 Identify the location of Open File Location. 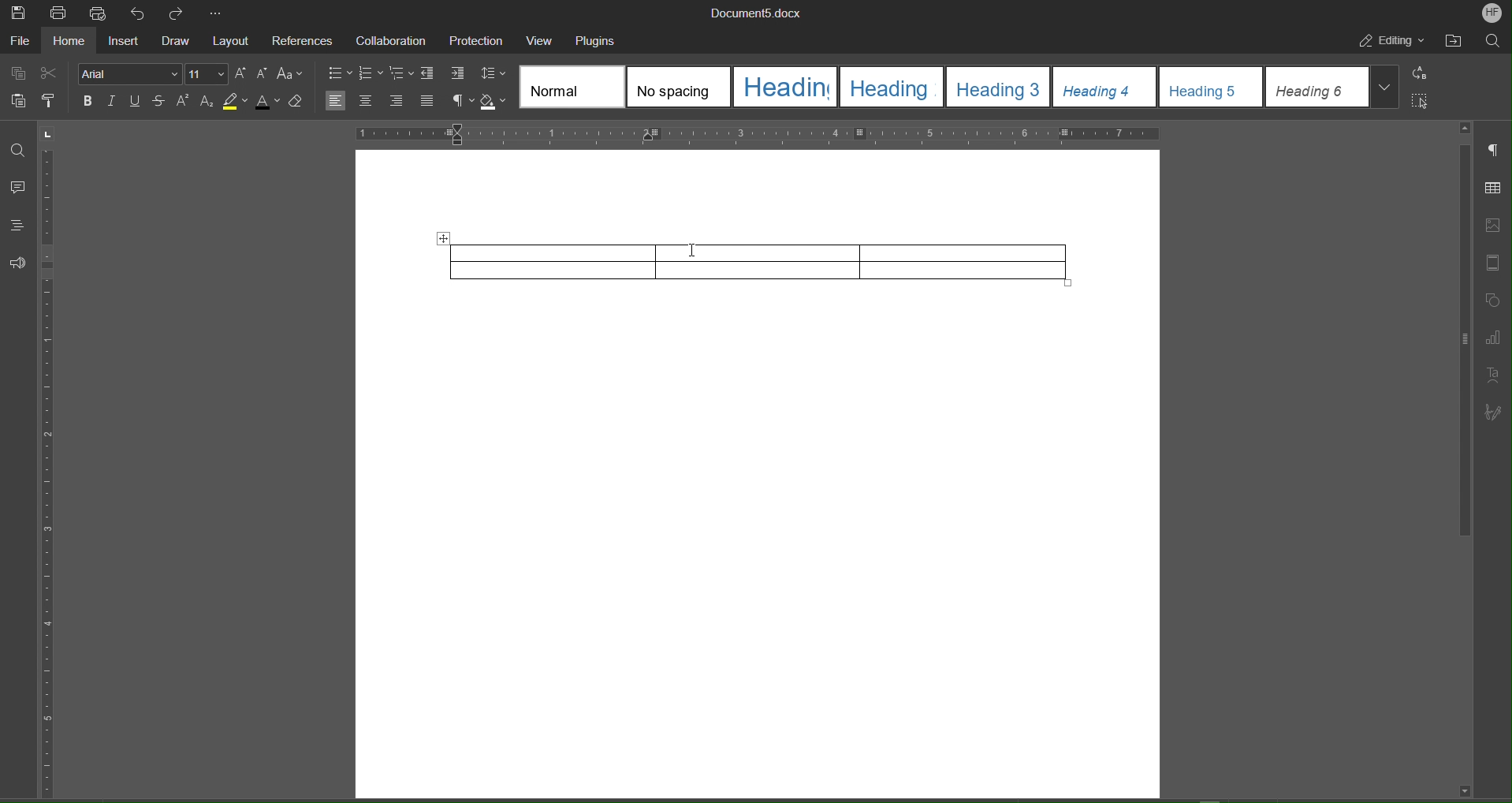
(1456, 42).